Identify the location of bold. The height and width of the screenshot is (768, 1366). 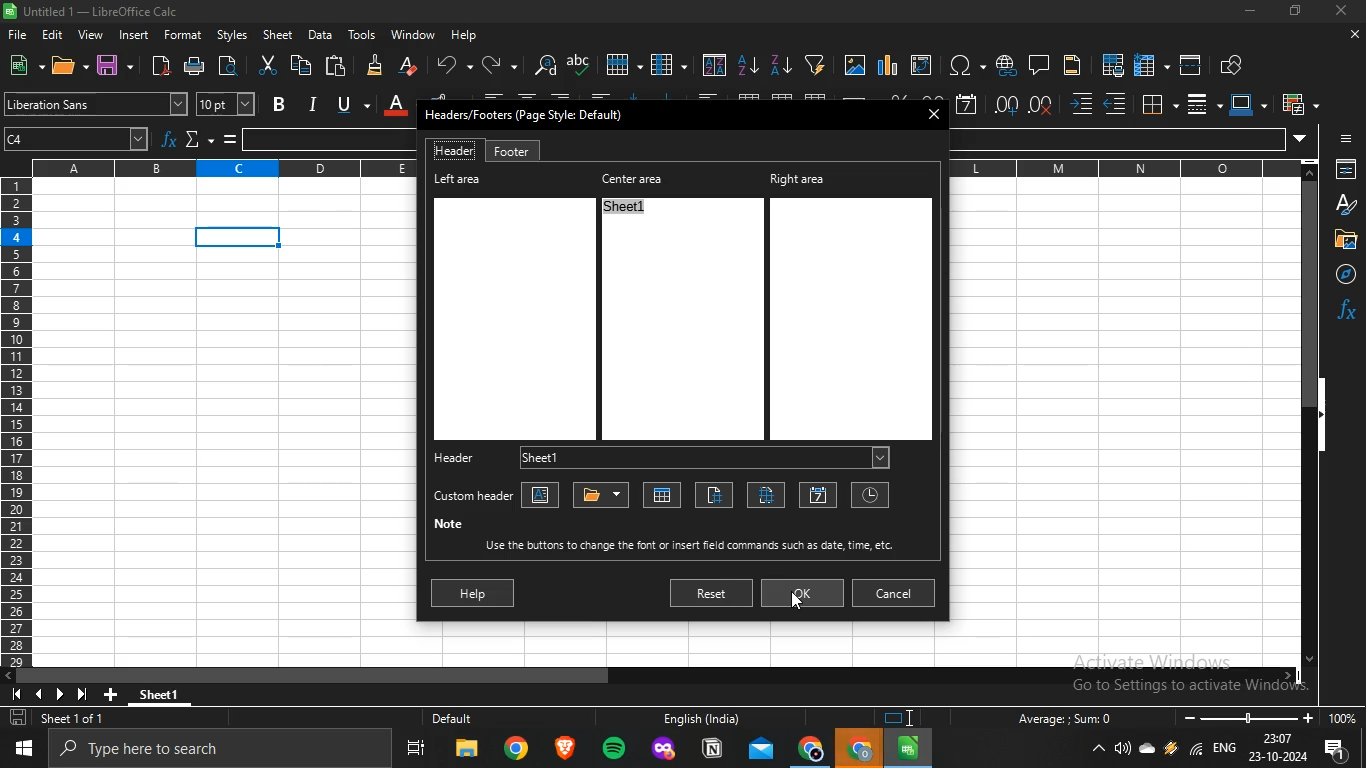
(280, 104).